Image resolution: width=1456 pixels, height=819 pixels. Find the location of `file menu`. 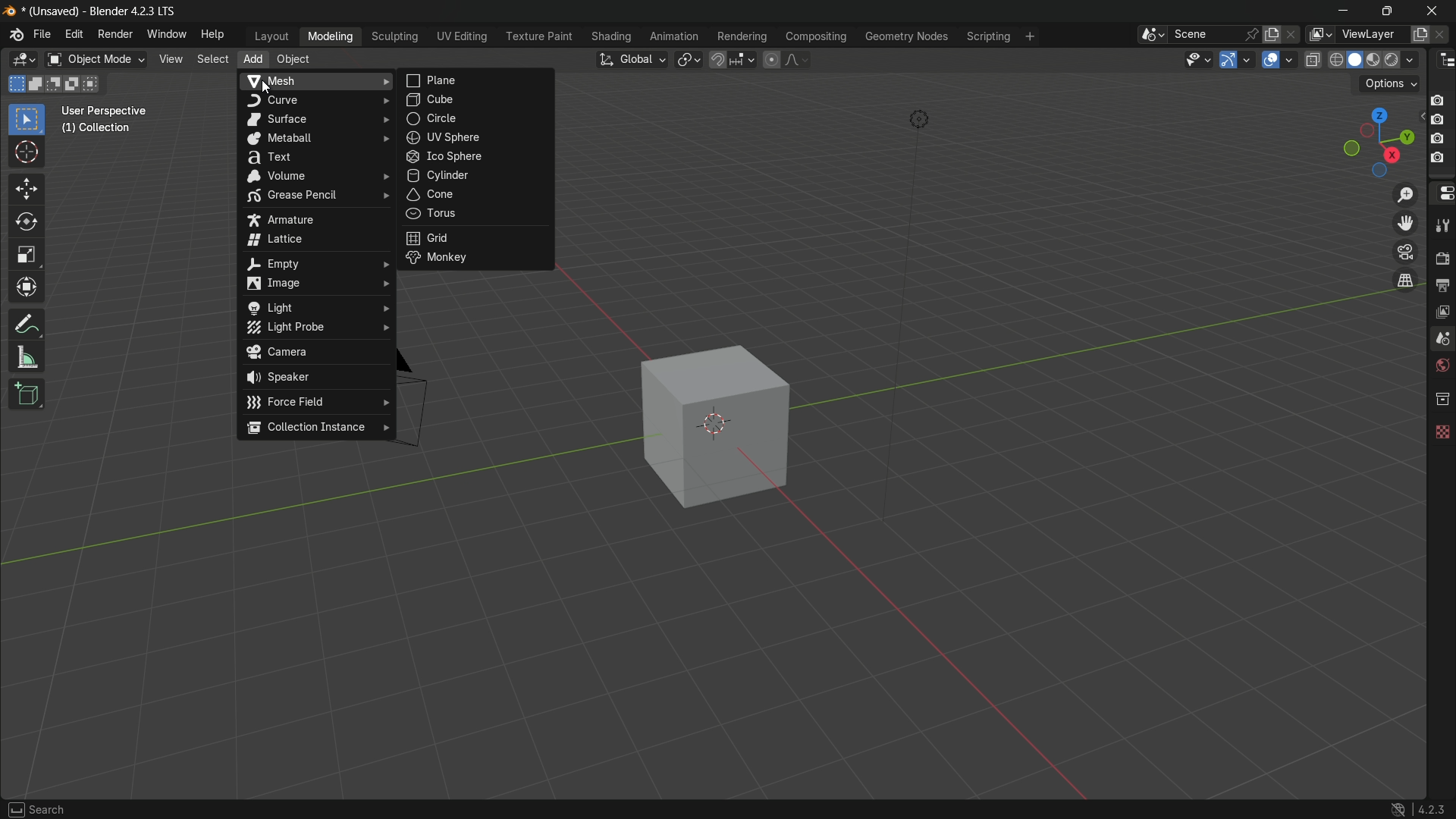

file menu is located at coordinates (43, 35).